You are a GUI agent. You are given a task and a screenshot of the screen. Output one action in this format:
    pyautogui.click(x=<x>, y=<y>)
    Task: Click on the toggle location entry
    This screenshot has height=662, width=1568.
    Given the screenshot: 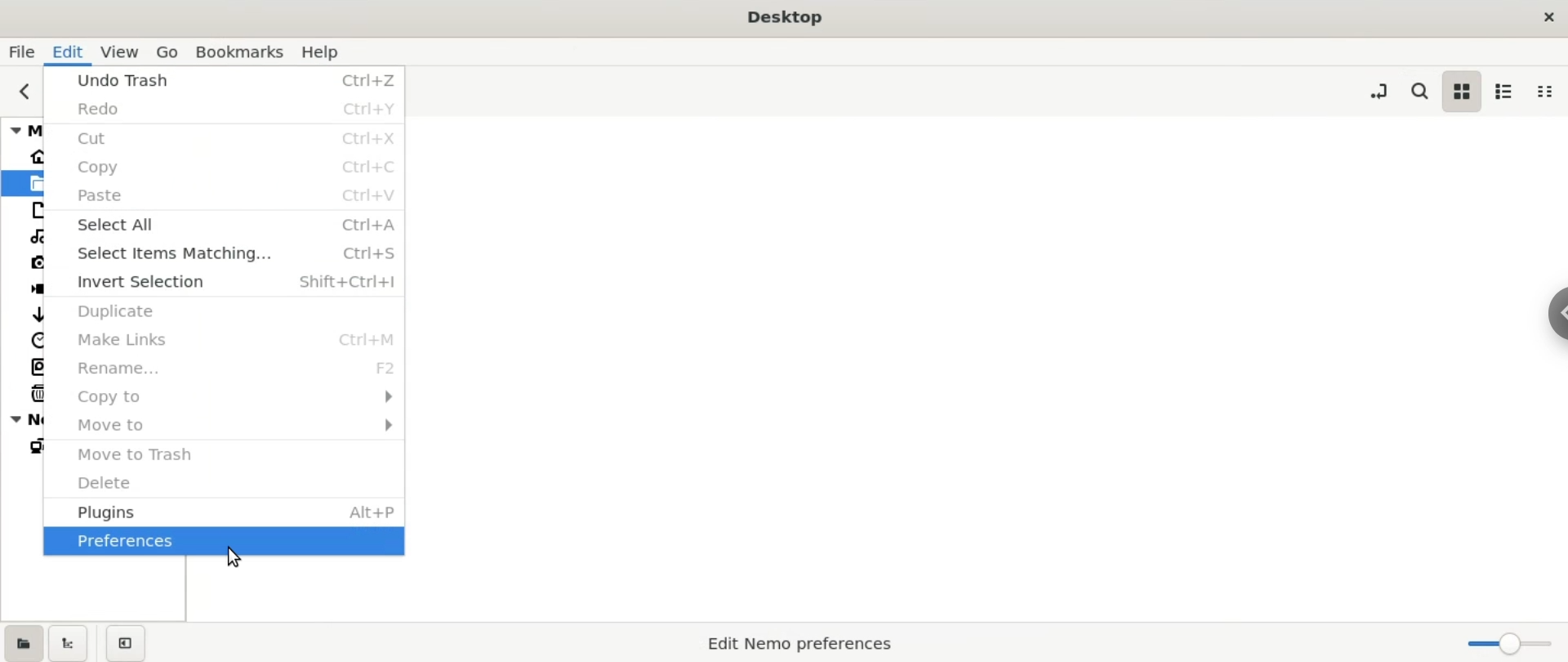 What is the action you would take?
    pyautogui.click(x=1383, y=93)
    